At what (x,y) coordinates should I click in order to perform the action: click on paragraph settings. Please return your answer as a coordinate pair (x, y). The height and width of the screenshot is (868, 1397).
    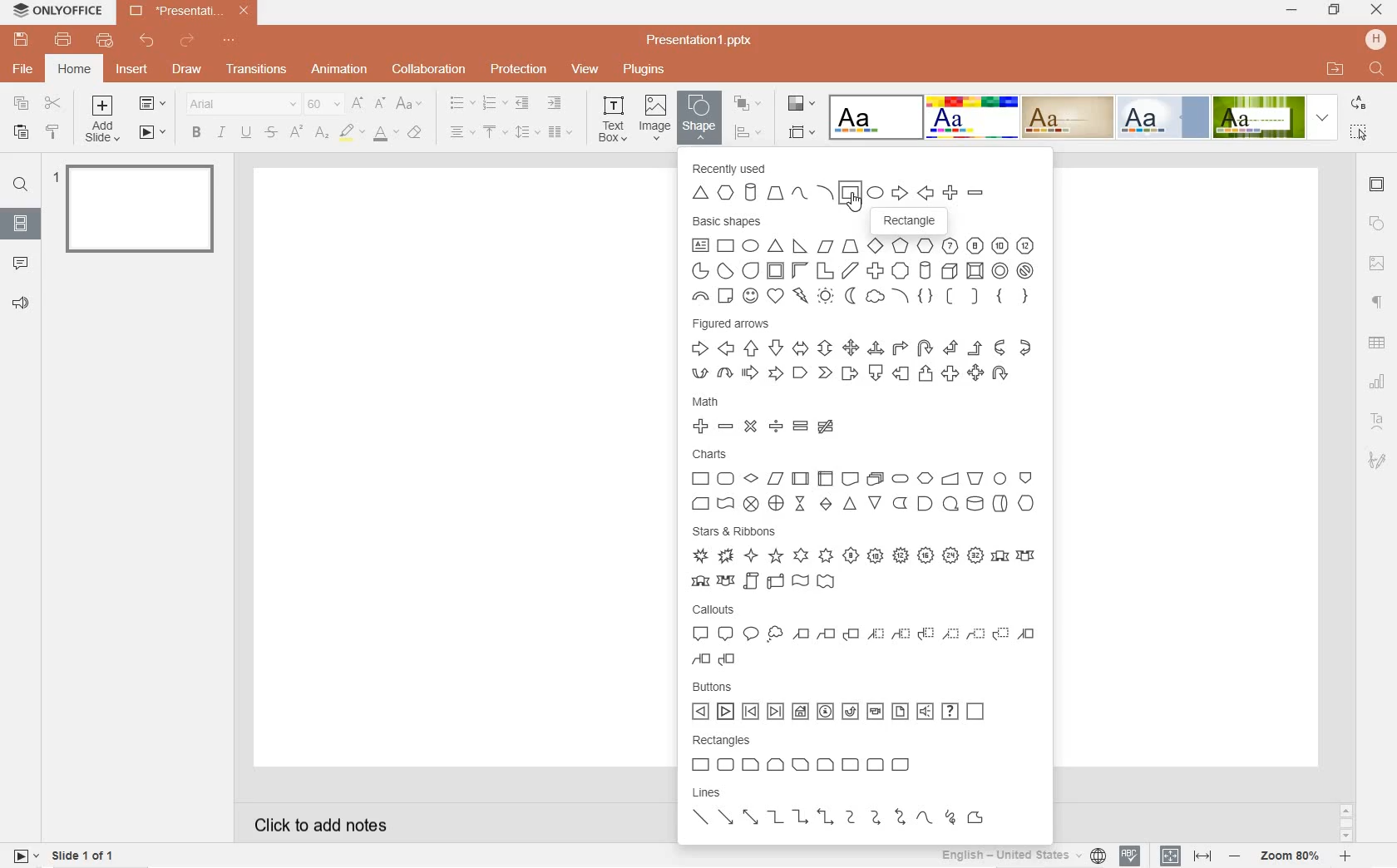
    Looking at the image, I should click on (1378, 301).